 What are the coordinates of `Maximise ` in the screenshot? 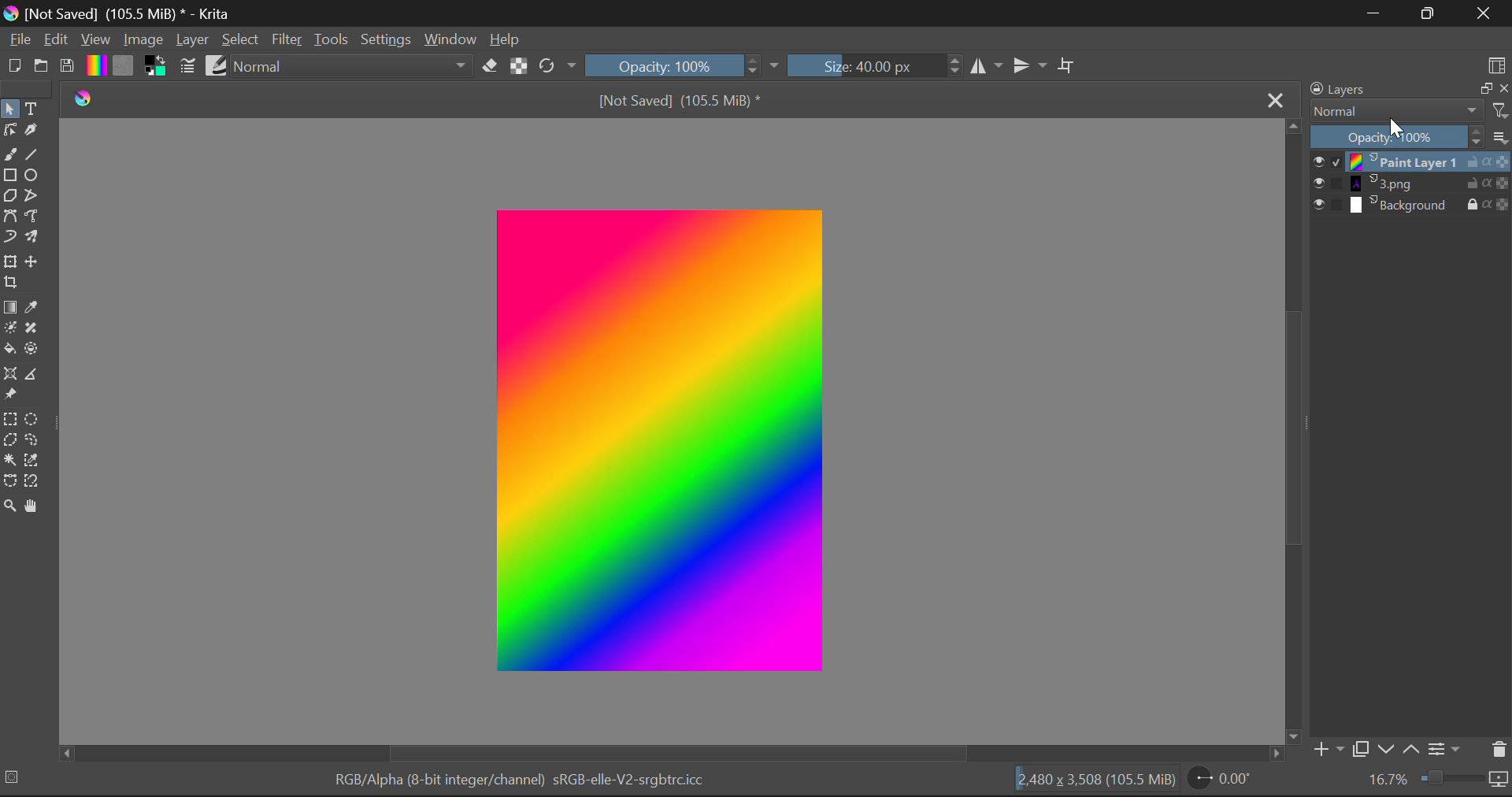 It's located at (1428, 13).